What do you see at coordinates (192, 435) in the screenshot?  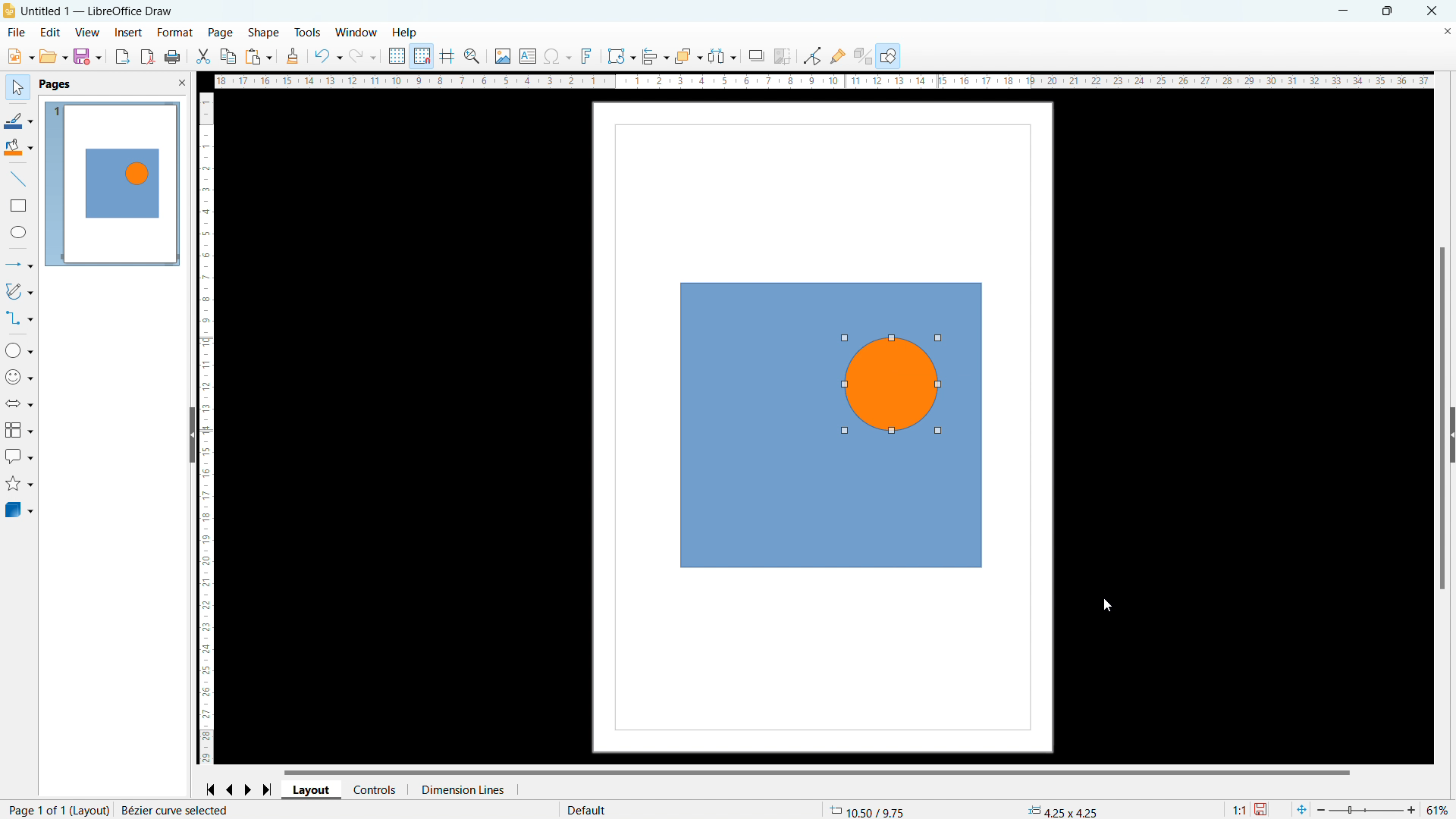 I see `hide pane` at bounding box center [192, 435].